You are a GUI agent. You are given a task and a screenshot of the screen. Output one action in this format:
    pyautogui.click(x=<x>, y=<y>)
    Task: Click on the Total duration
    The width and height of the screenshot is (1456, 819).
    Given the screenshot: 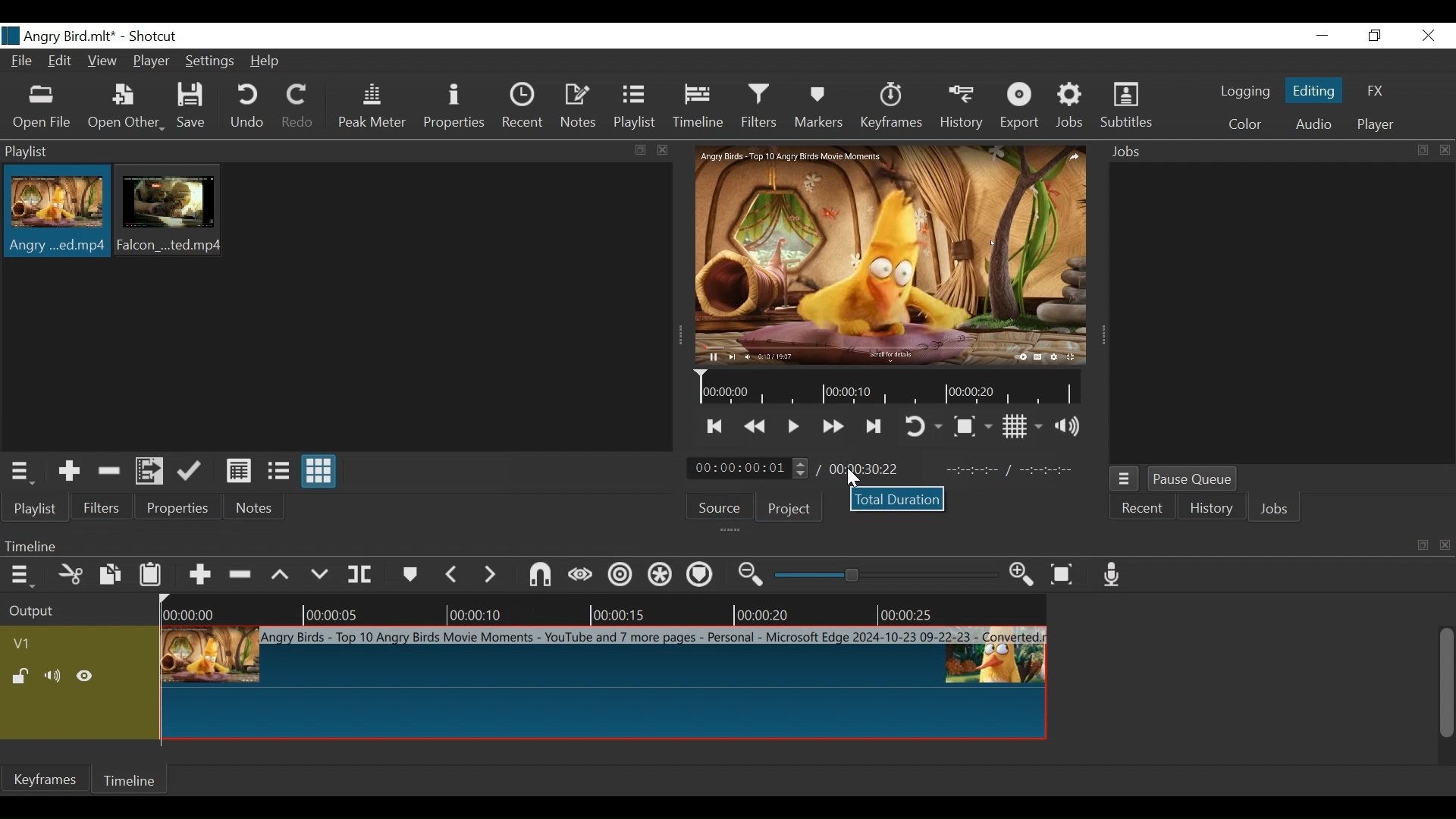 What is the action you would take?
    pyautogui.click(x=865, y=470)
    